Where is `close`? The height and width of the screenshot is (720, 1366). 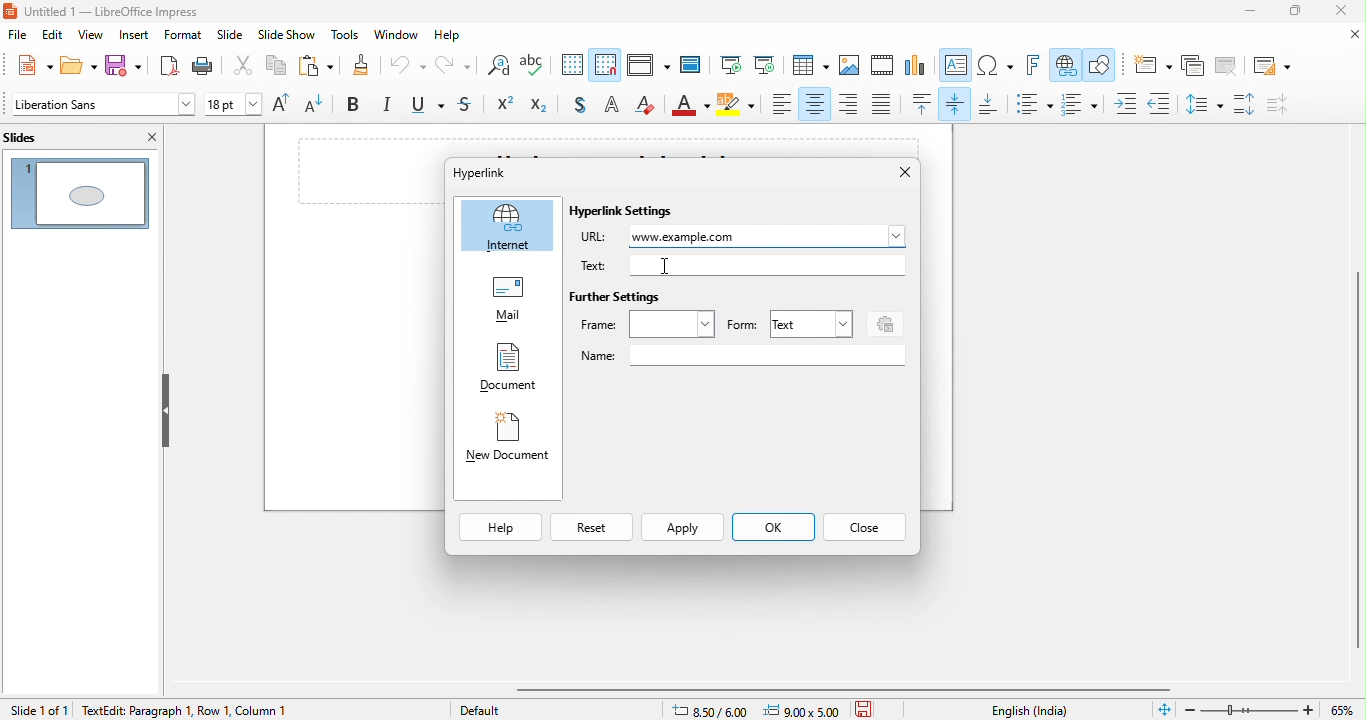 close is located at coordinates (1349, 35).